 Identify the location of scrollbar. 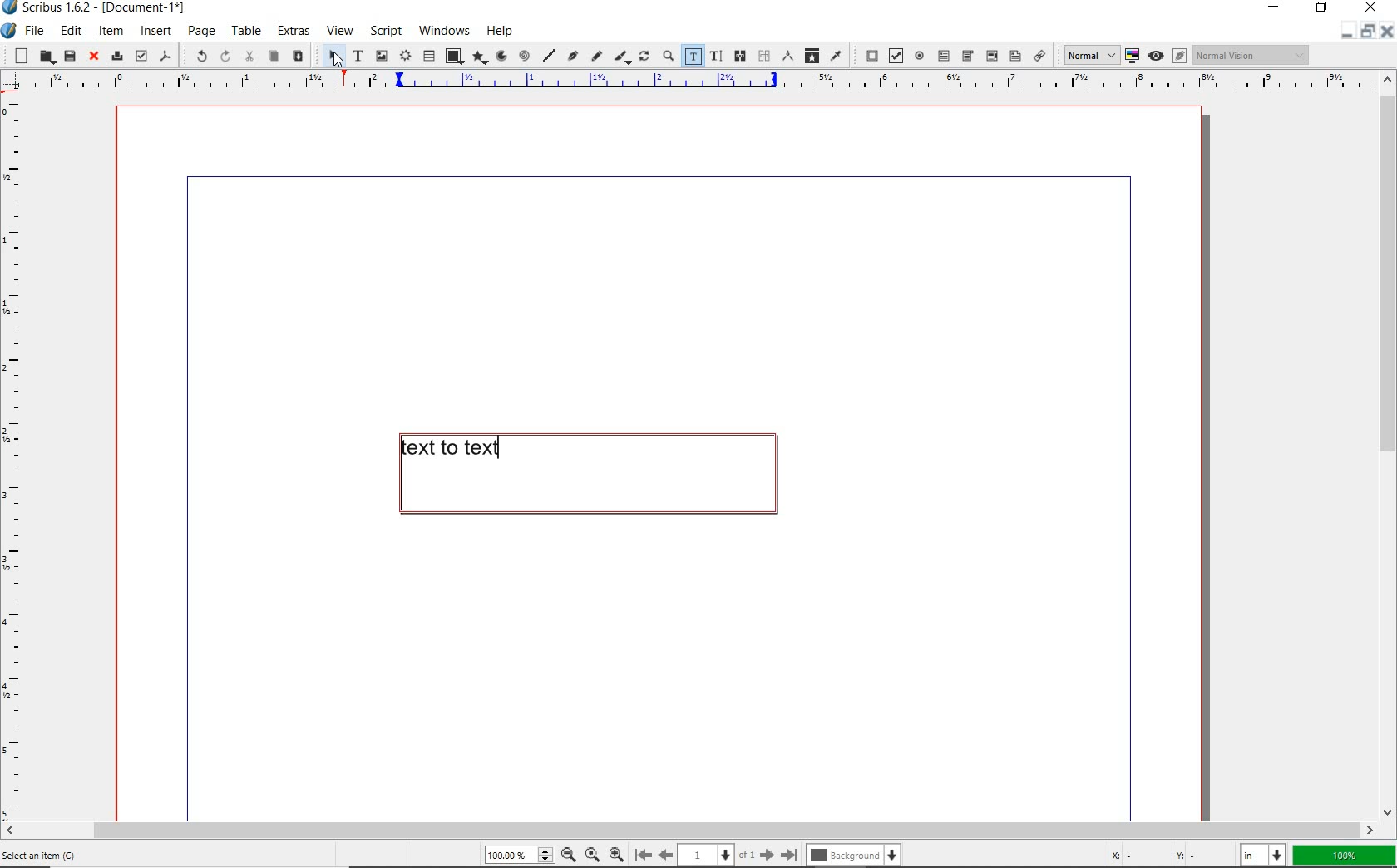
(689, 830).